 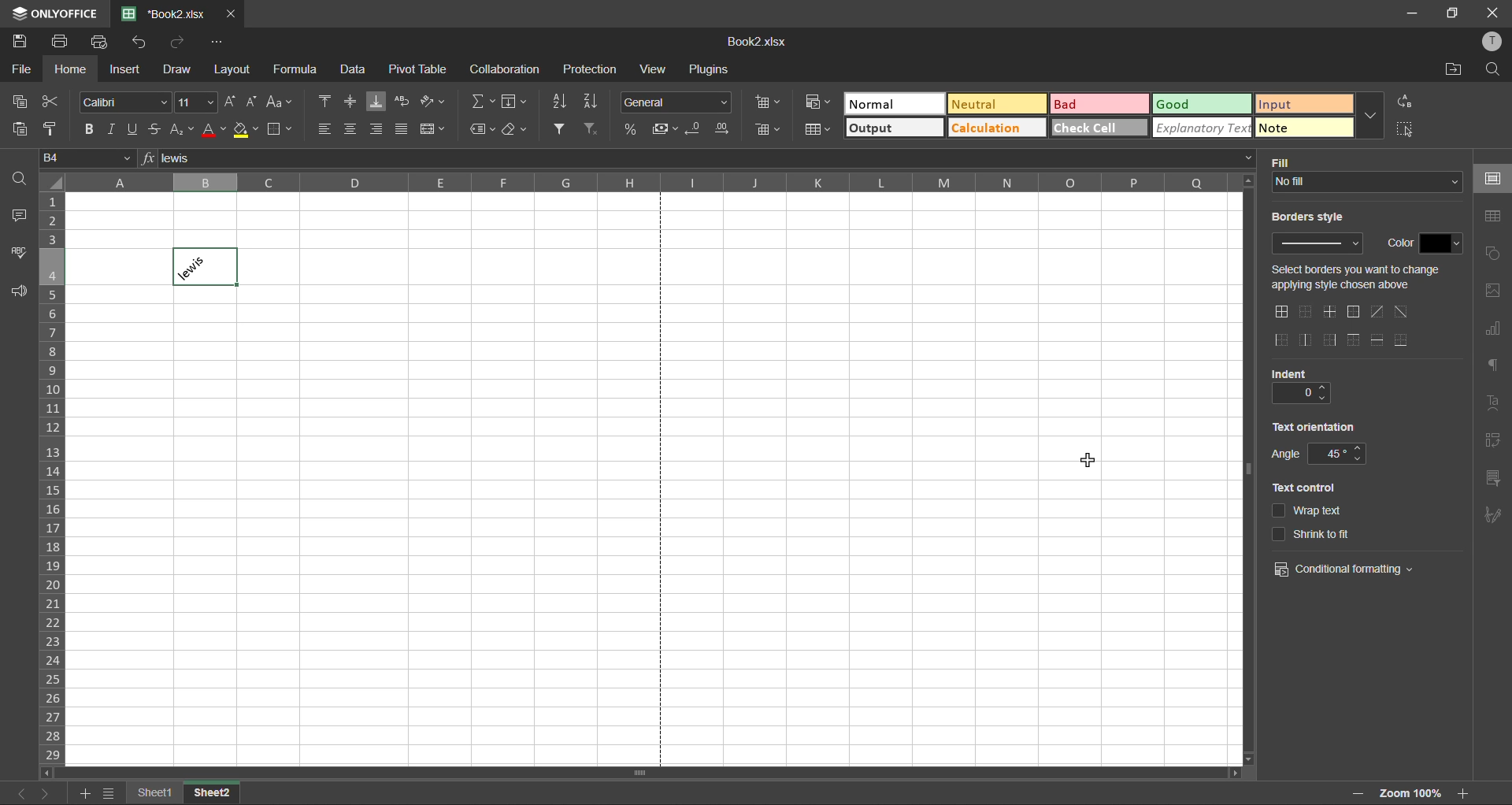 I want to click on conditional formatting, so click(x=1346, y=569).